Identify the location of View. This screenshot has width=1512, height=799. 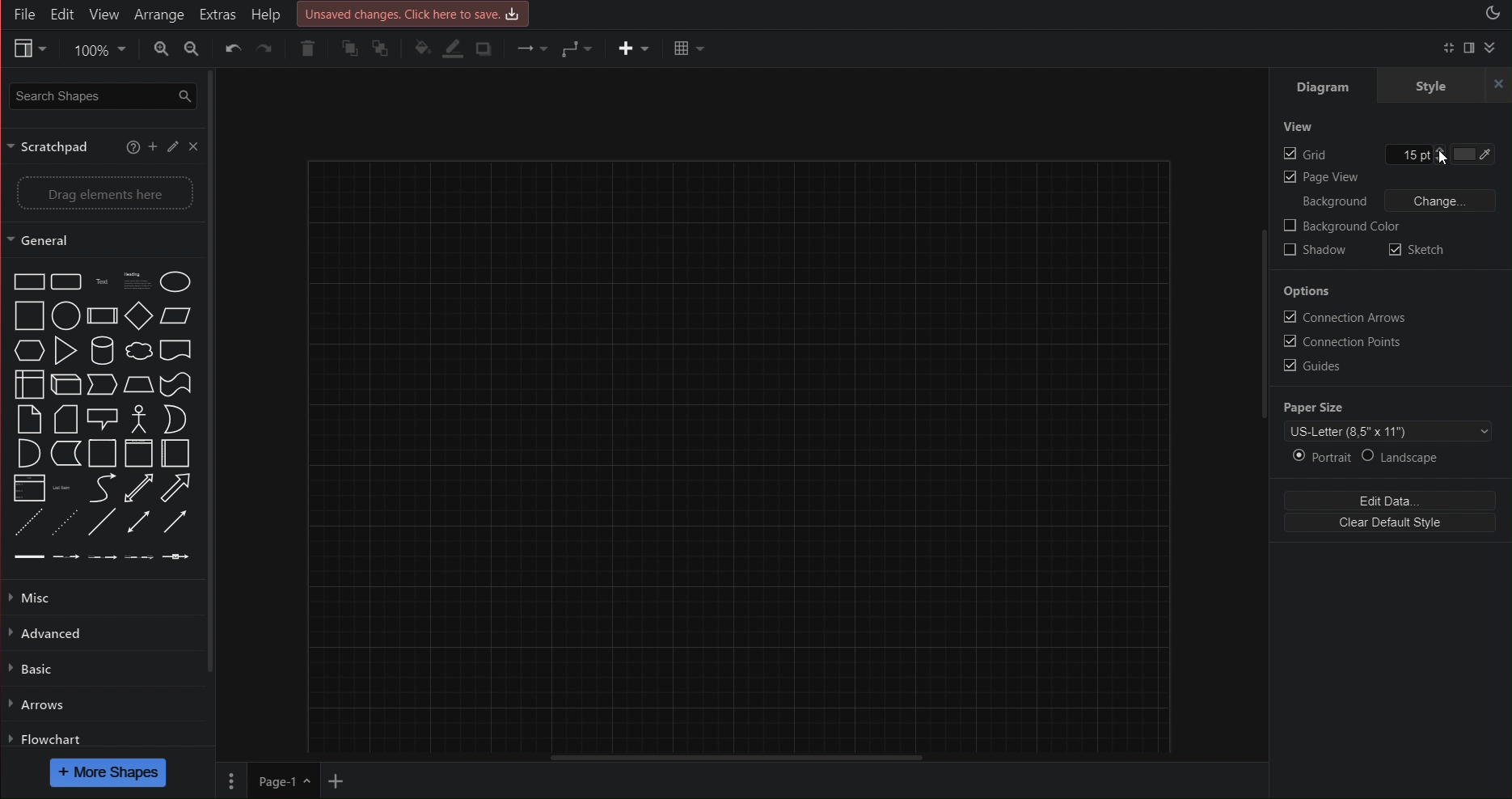
(1298, 124).